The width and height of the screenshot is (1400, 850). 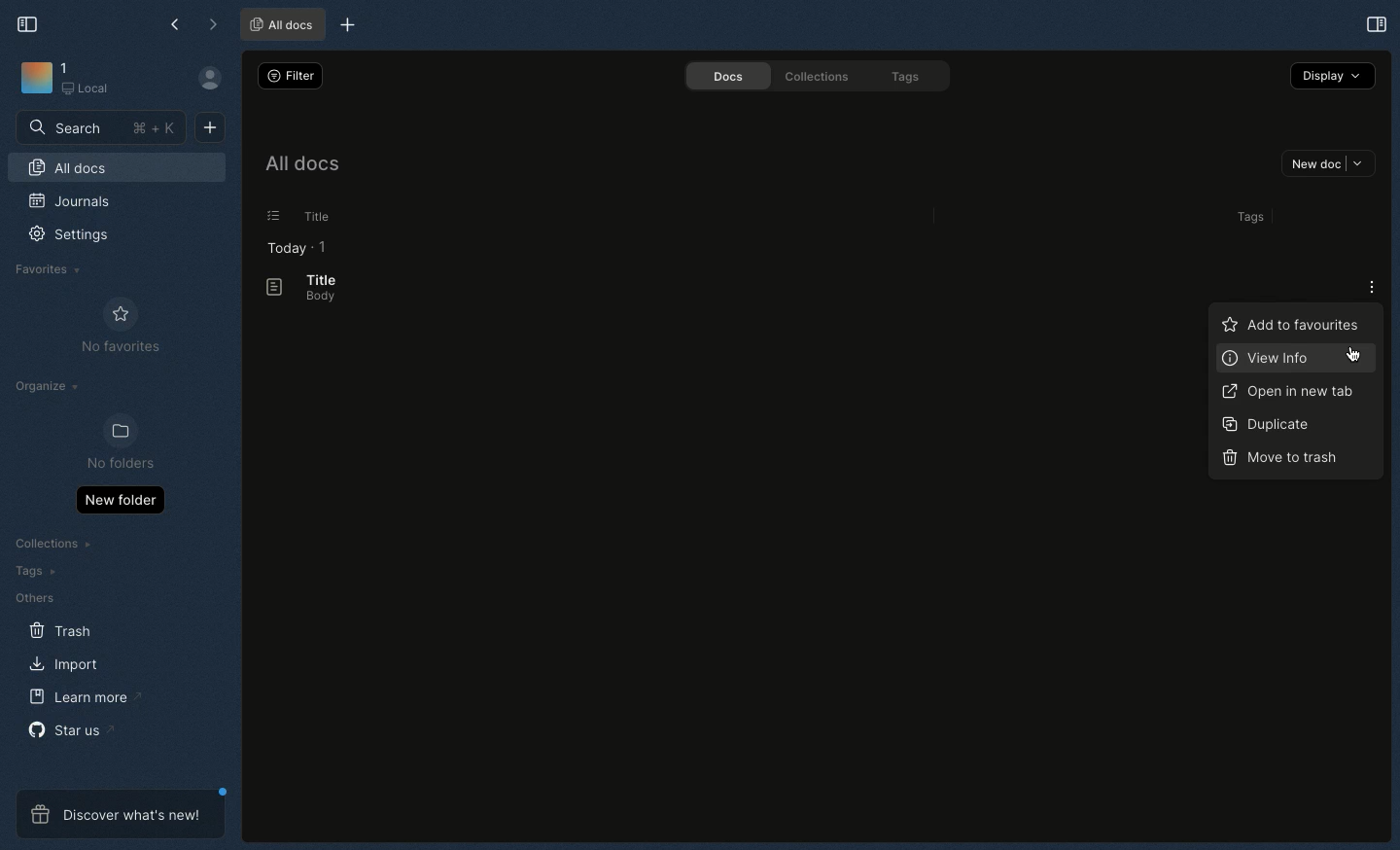 What do you see at coordinates (280, 25) in the screenshot?
I see `All docs` at bounding box center [280, 25].